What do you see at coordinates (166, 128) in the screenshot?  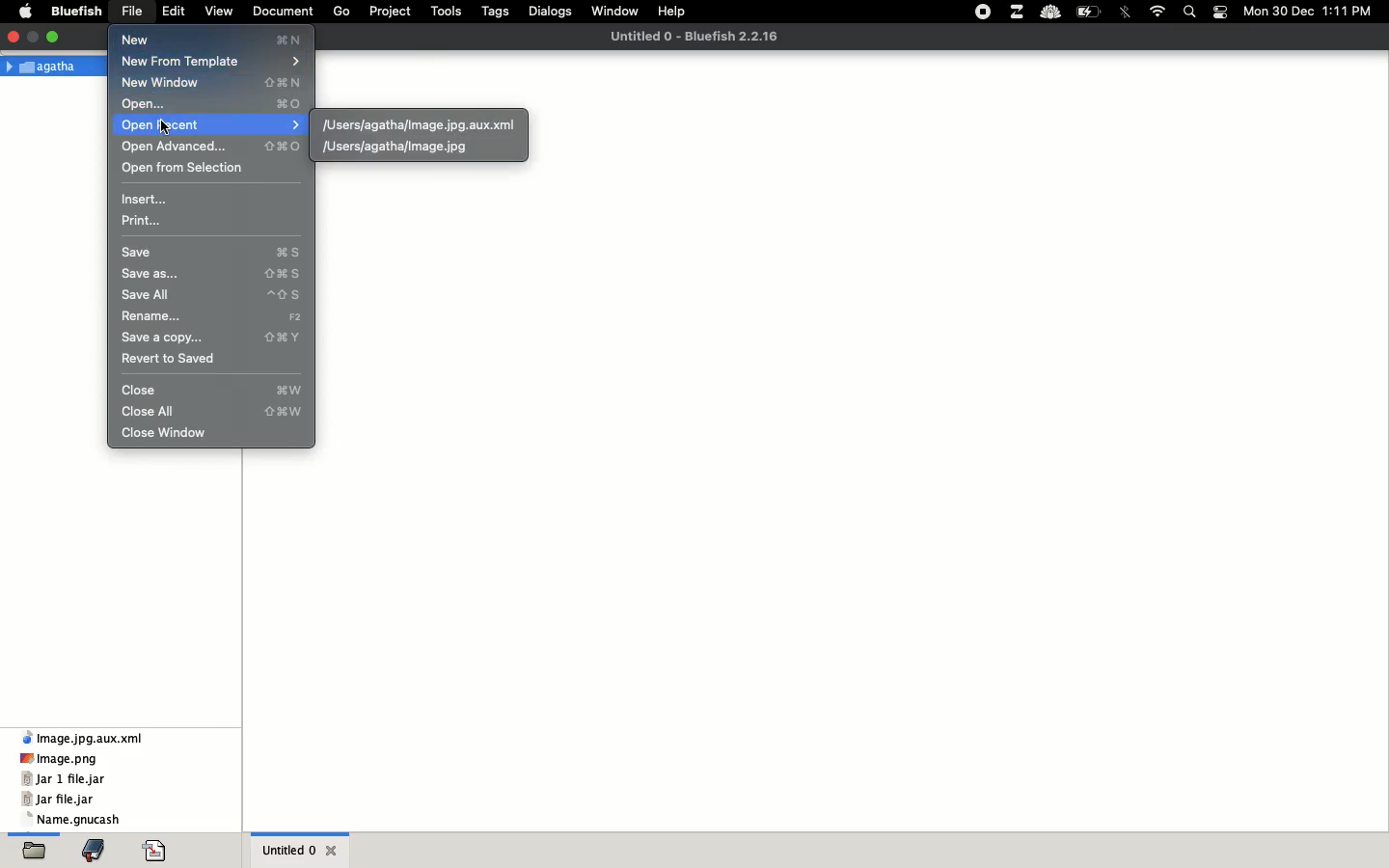 I see `cursor` at bounding box center [166, 128].